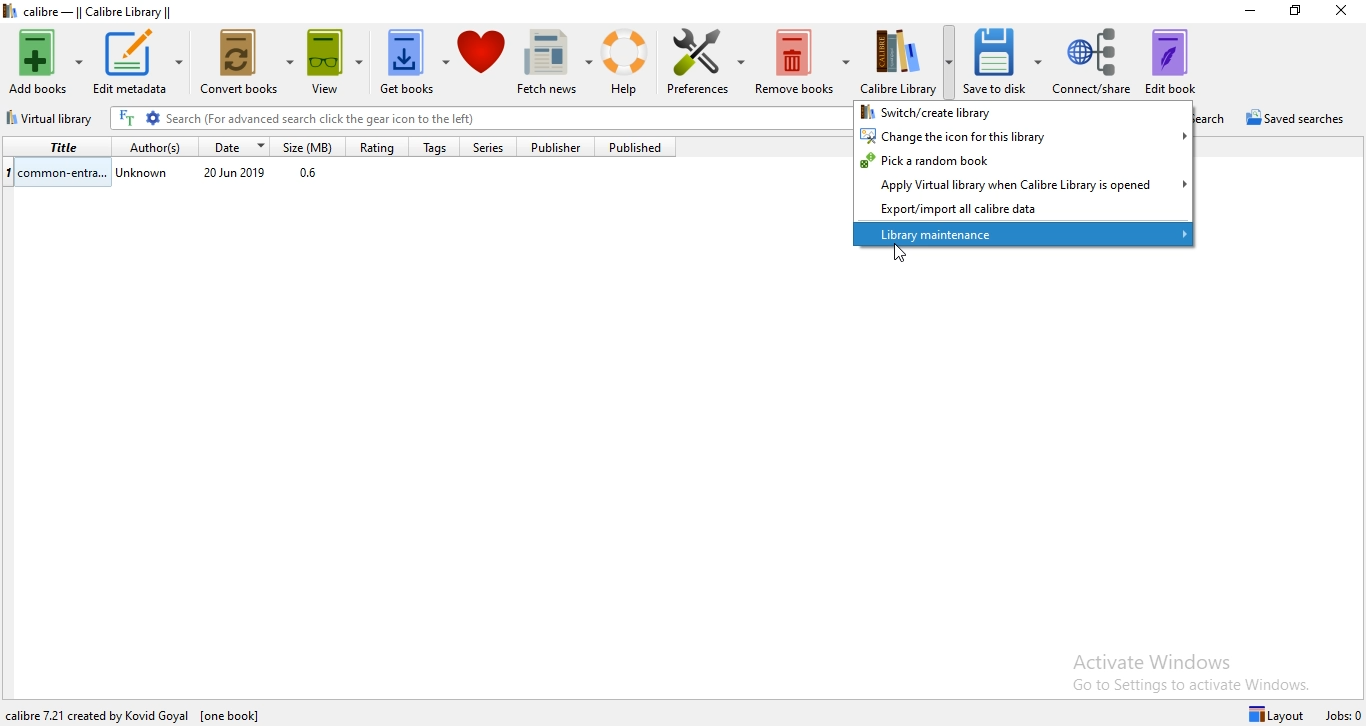 The width and height of the screenshot is (1366, 726). I want to click on Help, so click(630, 63).